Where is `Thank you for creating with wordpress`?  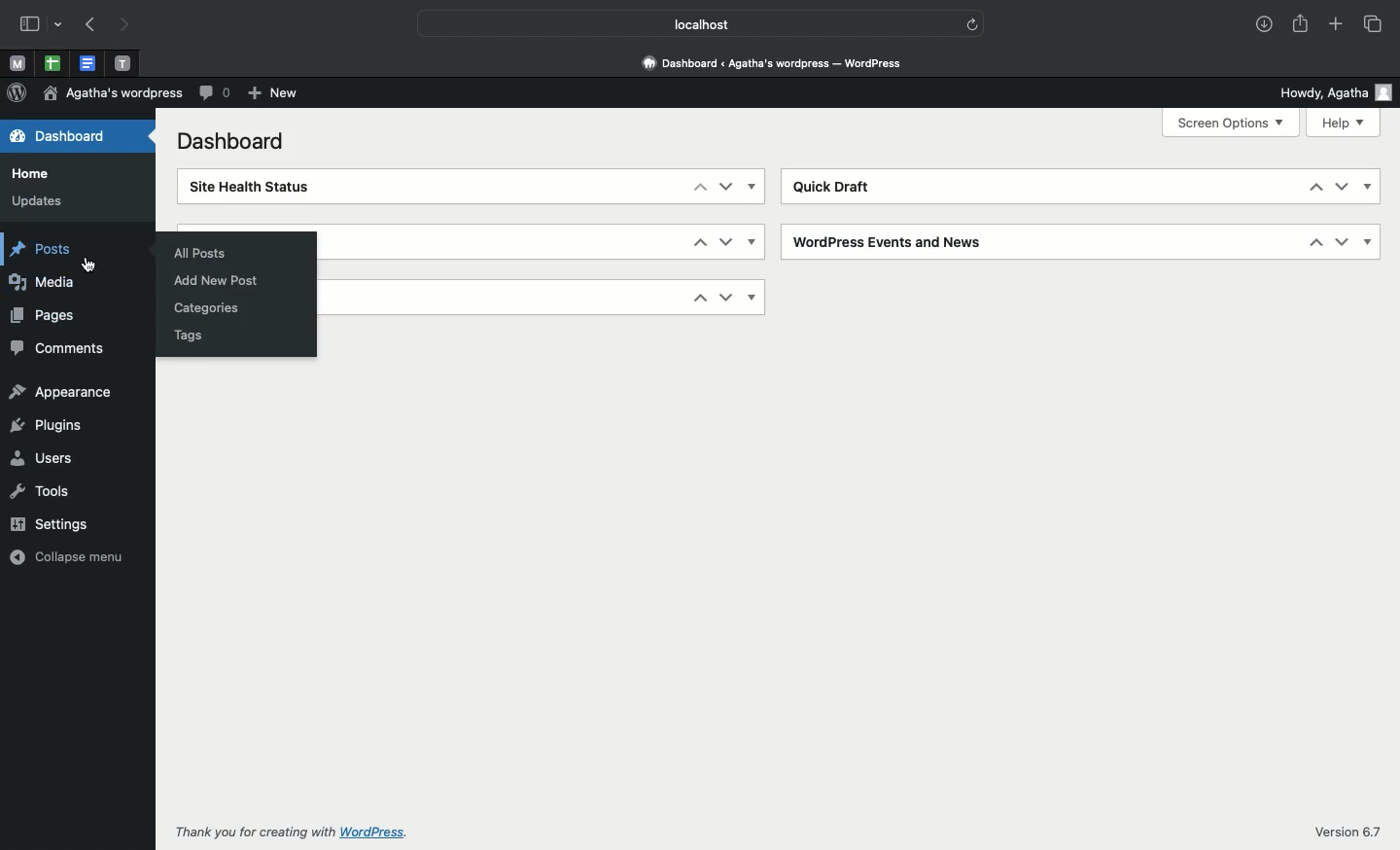
Thank you for creating with wordpress is located at coordinates (297, 831).